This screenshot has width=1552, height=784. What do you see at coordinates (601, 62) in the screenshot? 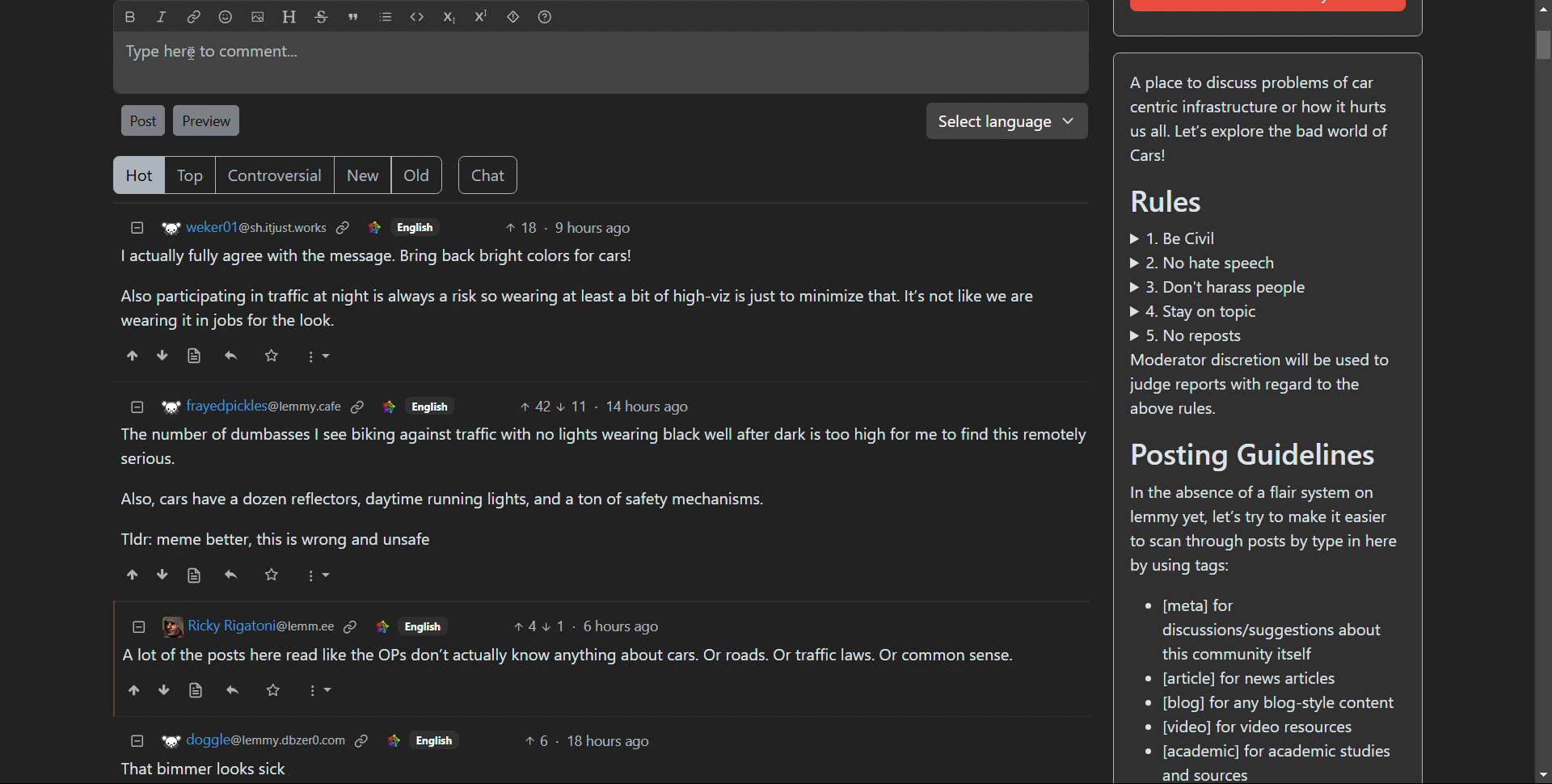
I see `type here to comment` at bounding box center [601, 62].